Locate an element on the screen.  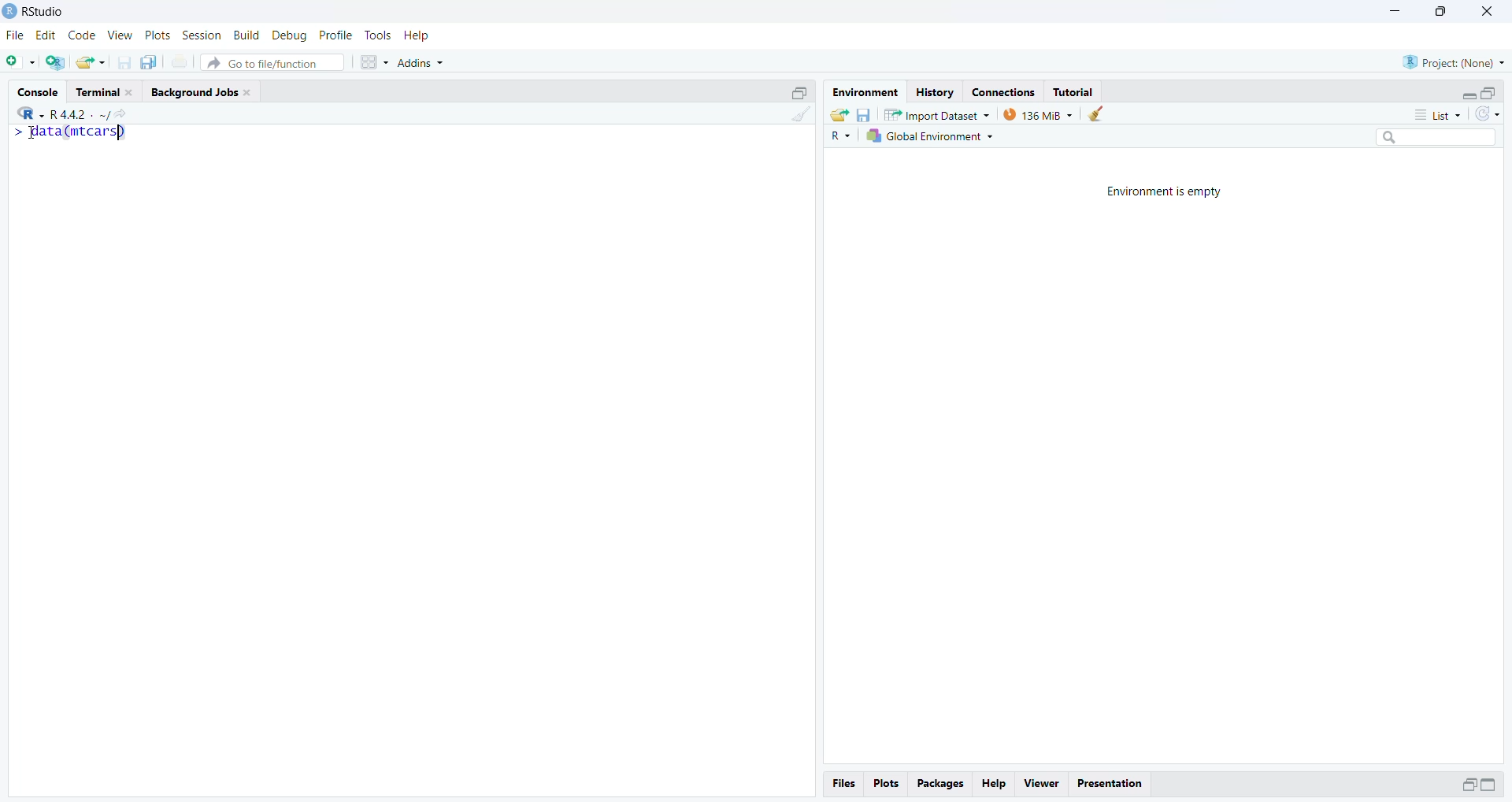
Files is located at coordinates (847, 783).